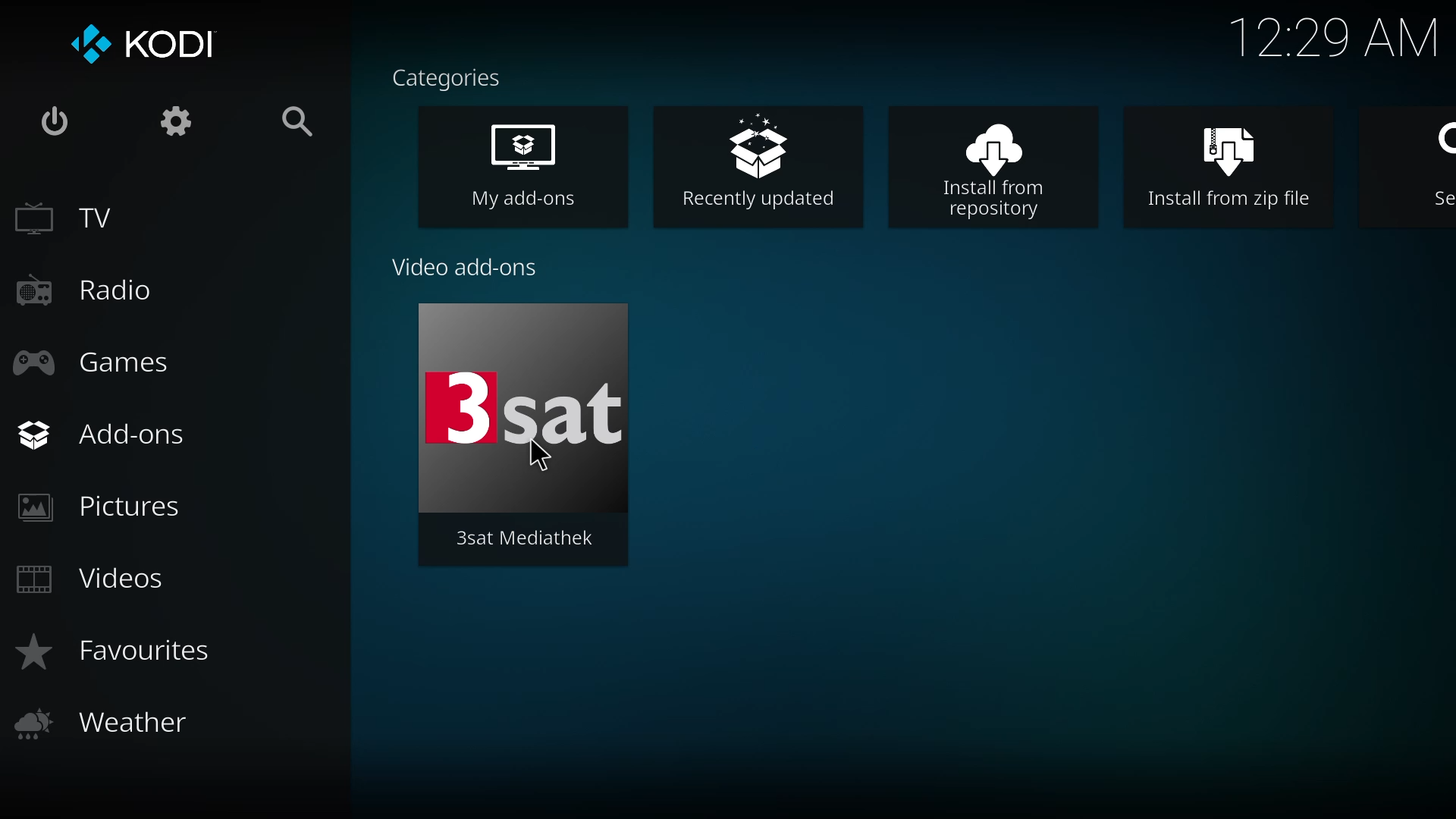  What do you see at coordinates (109, 433) in the screenshot?
I see `add-ons` at bounding box center [109, 433].